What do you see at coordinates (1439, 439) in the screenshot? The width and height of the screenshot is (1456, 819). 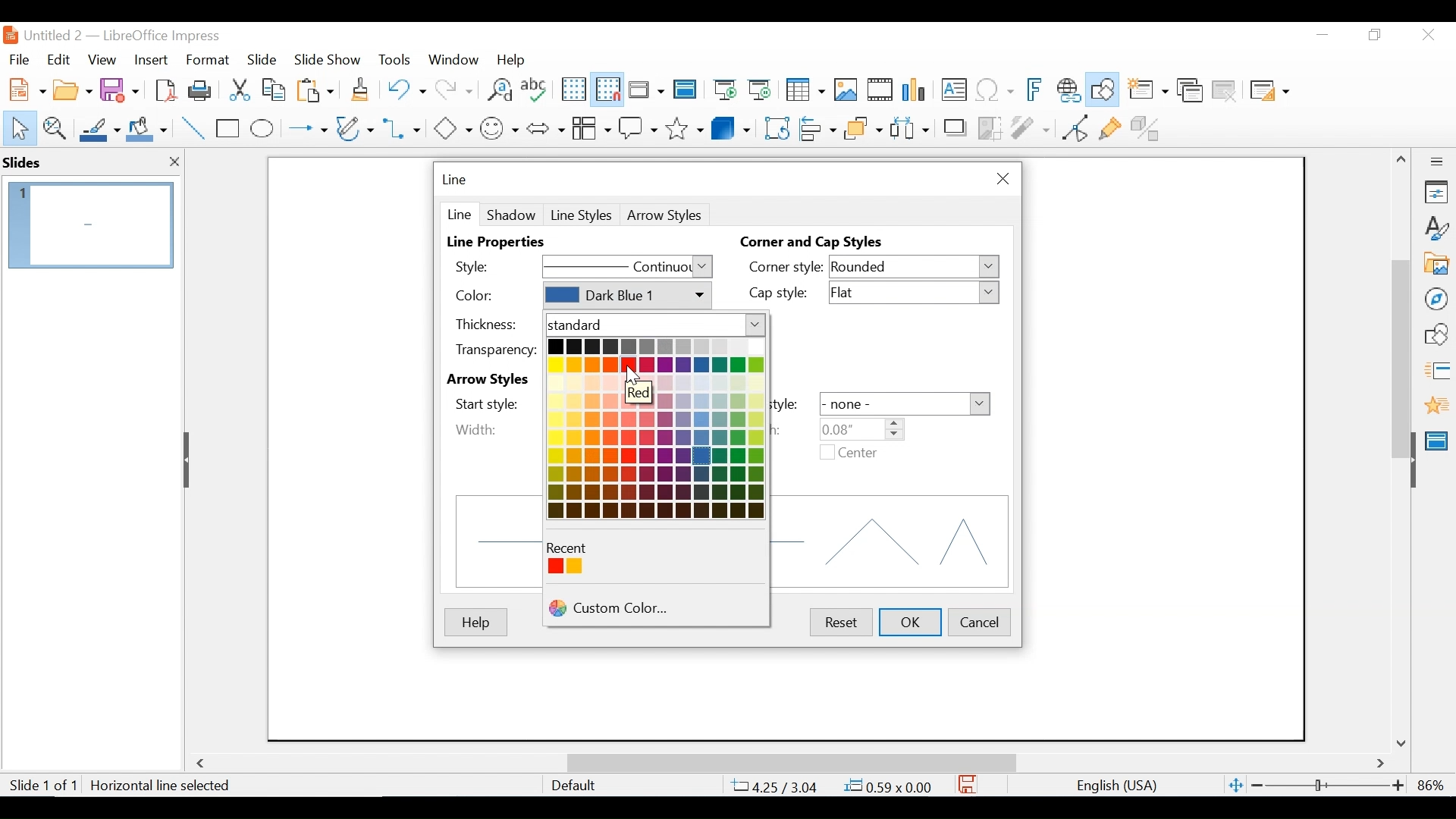 I see `Master Slide` at bounding box center [1439, 439].